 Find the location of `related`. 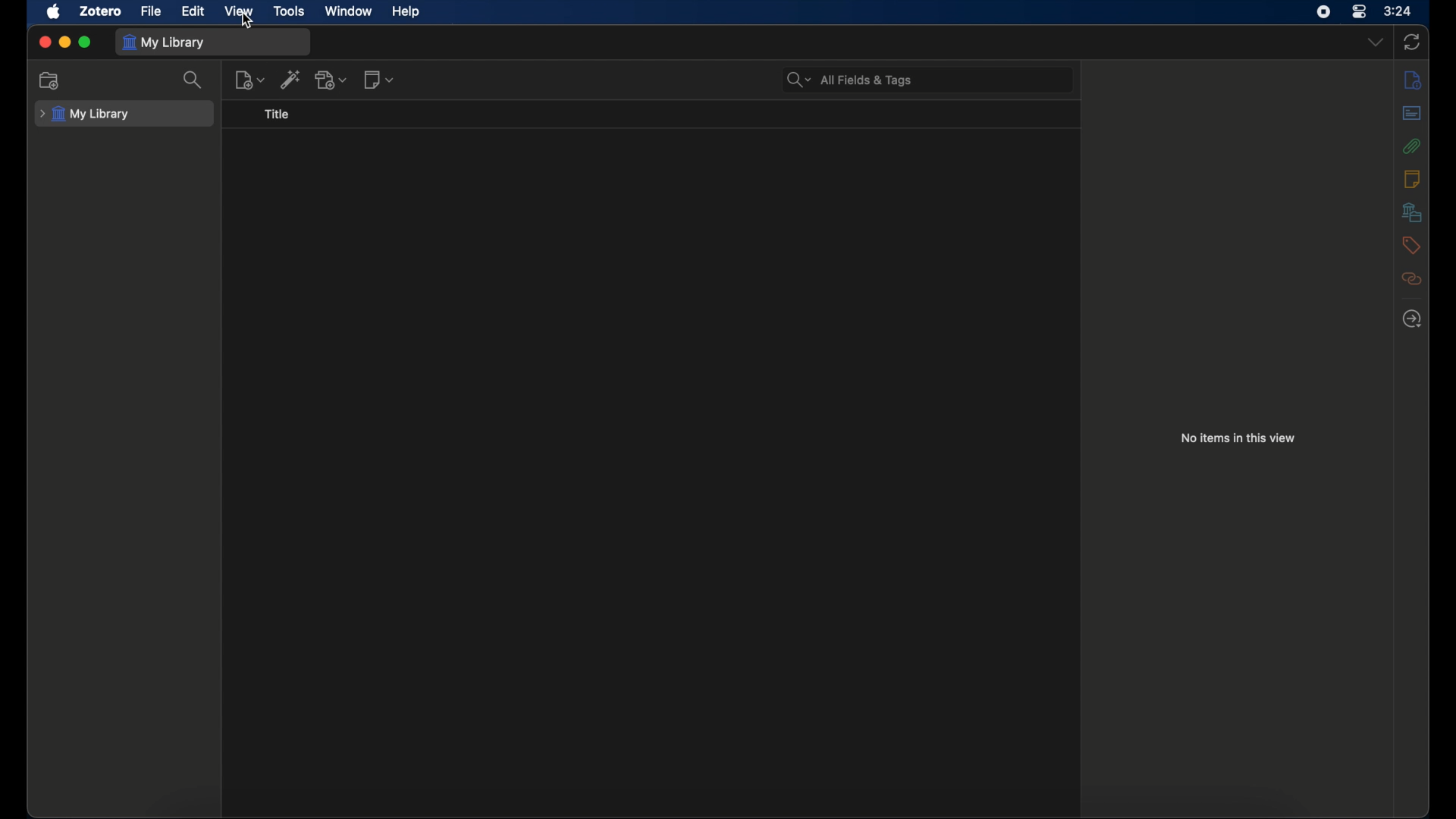

related is located at coordinates (1412, 279).